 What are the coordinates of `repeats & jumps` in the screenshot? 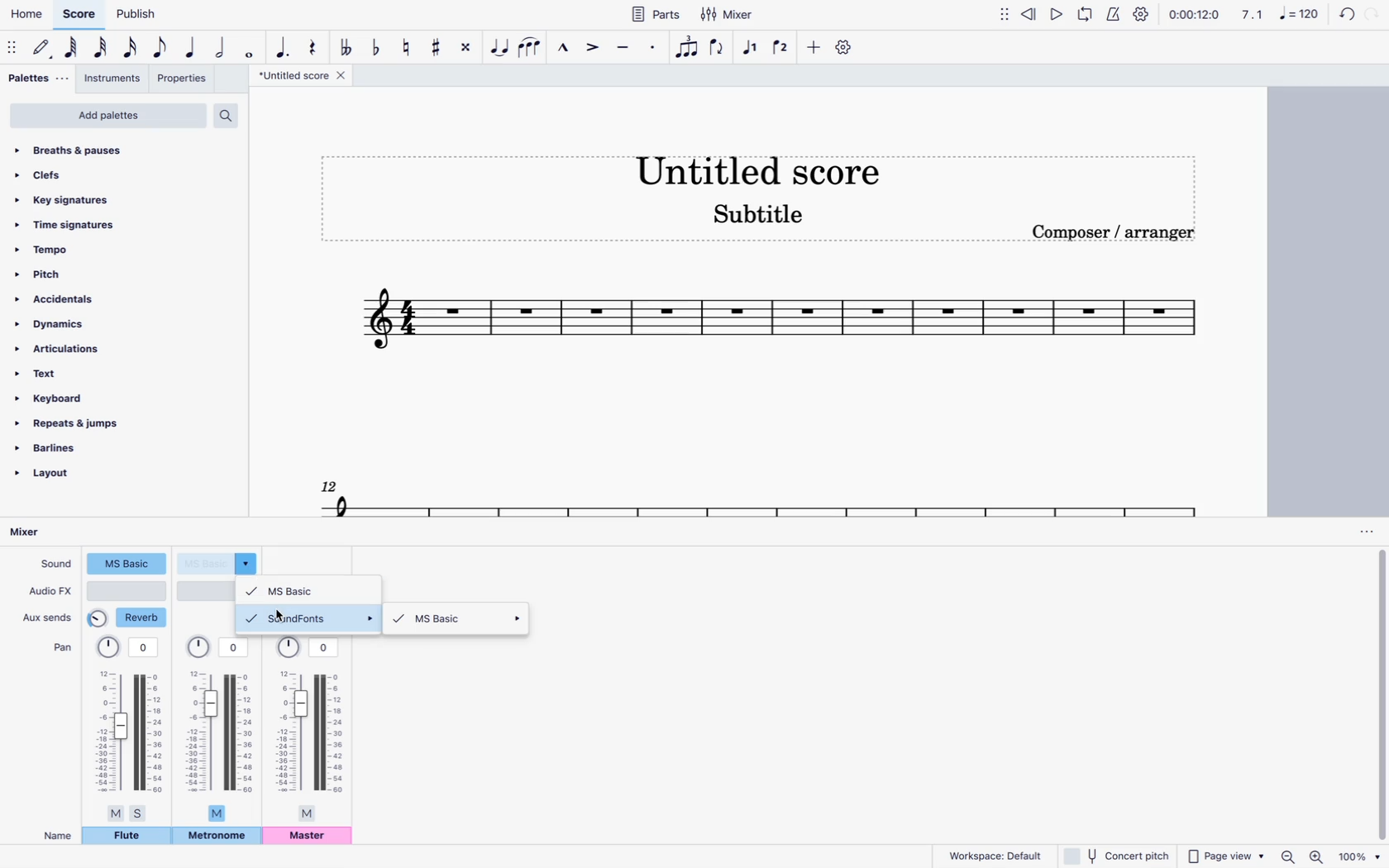 It's located at (83, 423).